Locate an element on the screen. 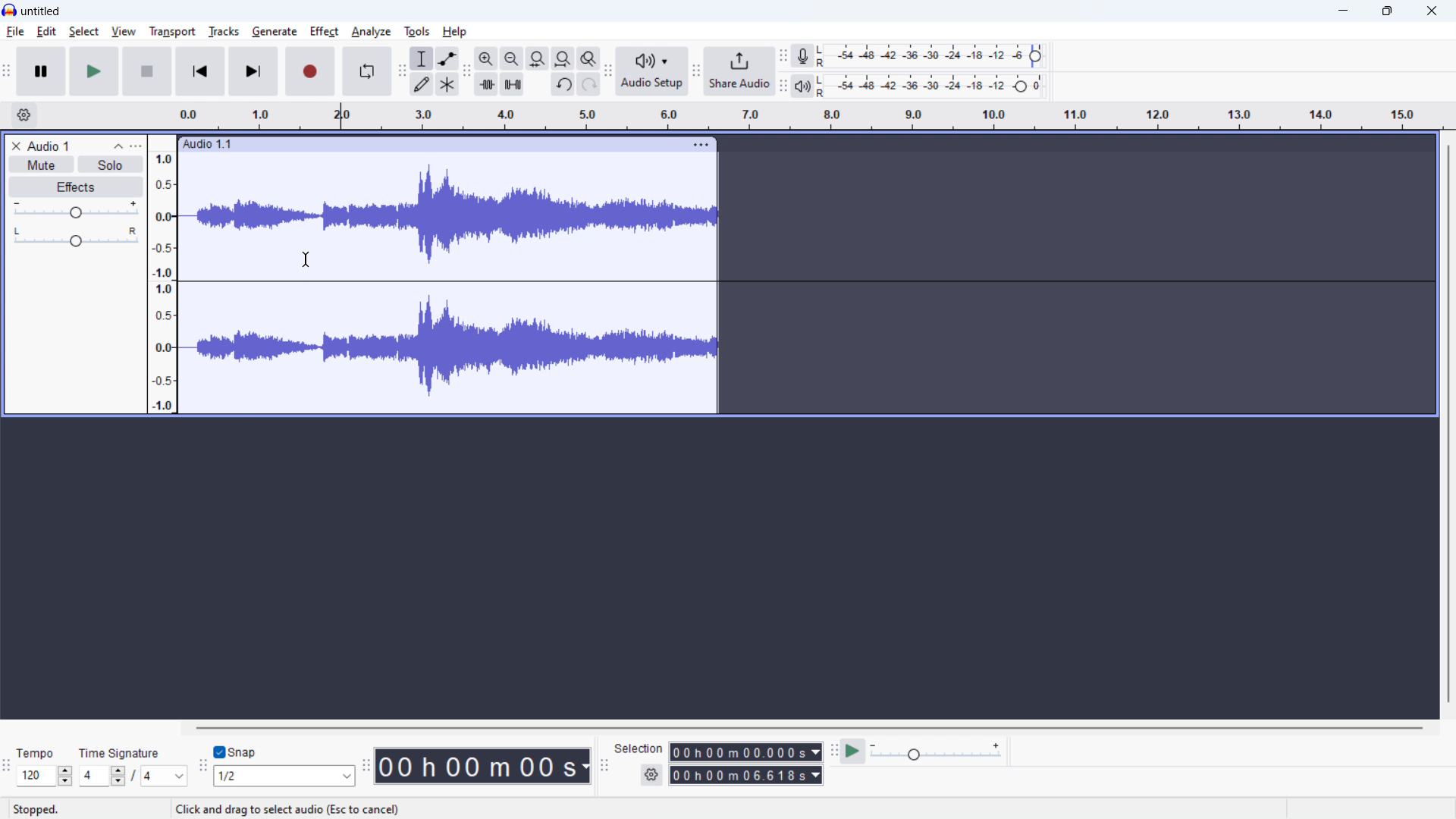 This screenshot has width=1456, height=819. edit toolbar is located at coordinates (468, 72).